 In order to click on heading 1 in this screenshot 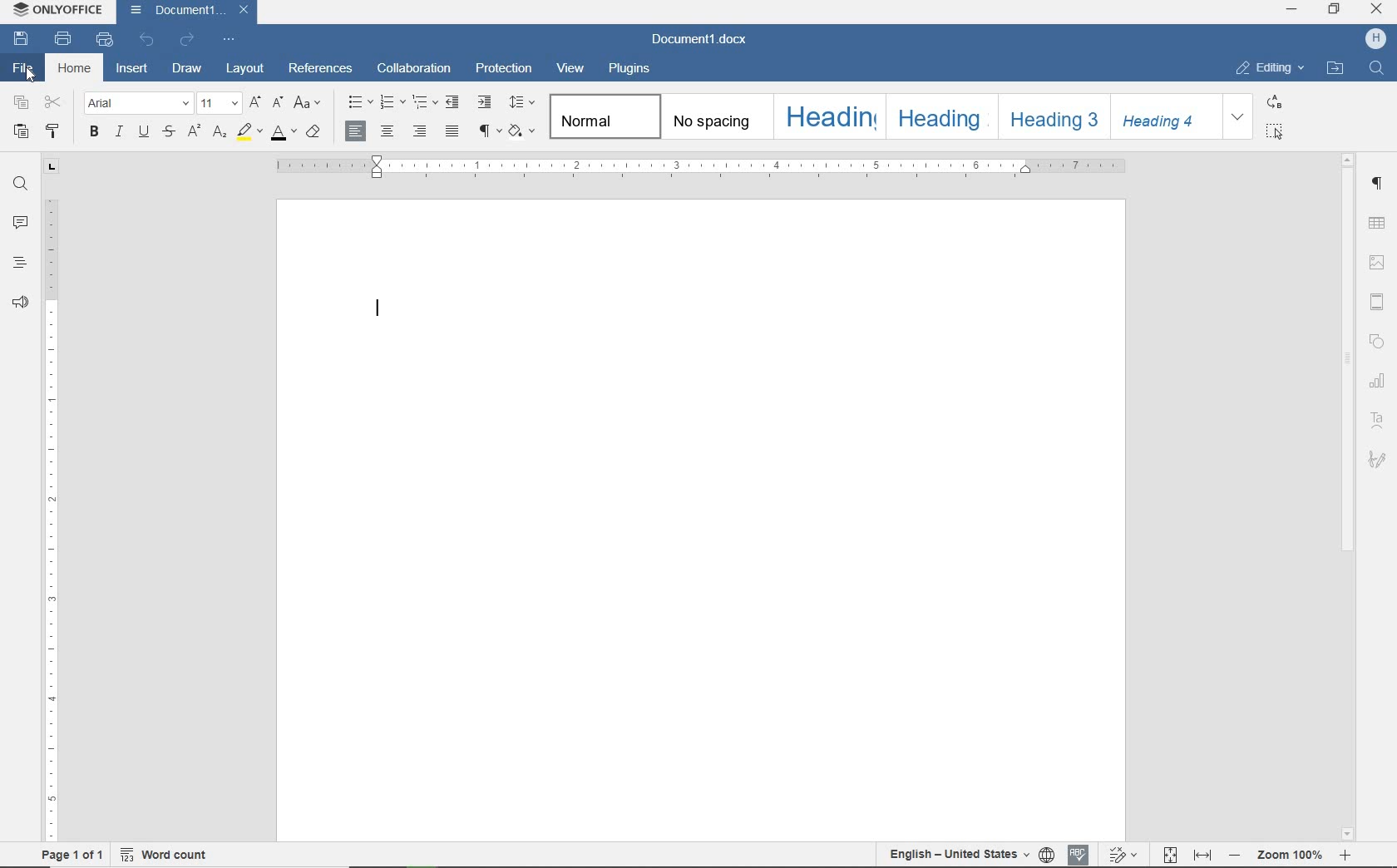, I will do `click(827, 116)`.